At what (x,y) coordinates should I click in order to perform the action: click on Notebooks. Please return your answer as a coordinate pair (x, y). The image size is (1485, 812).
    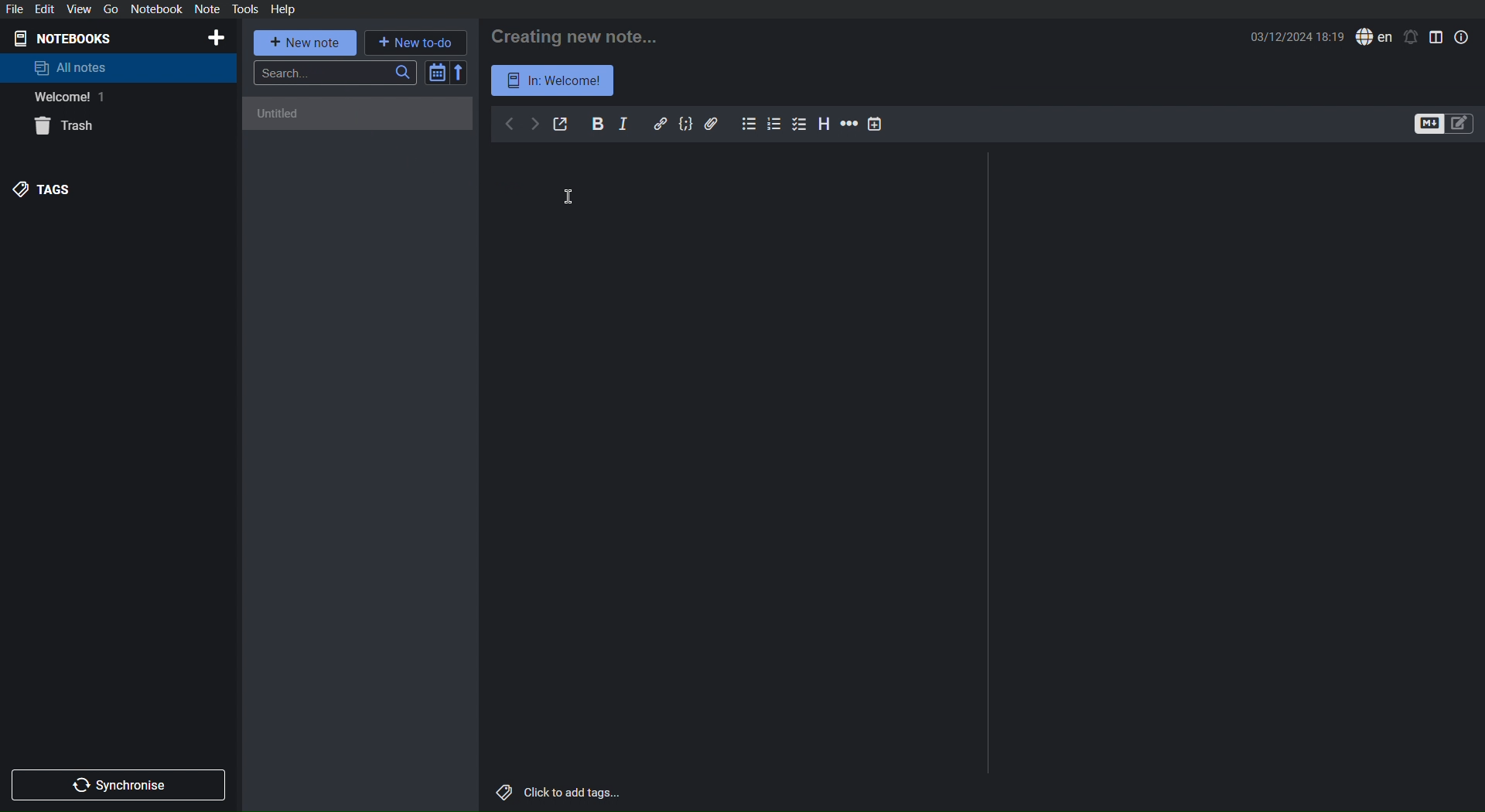
    Looking at the image, I should click on (70, 37).